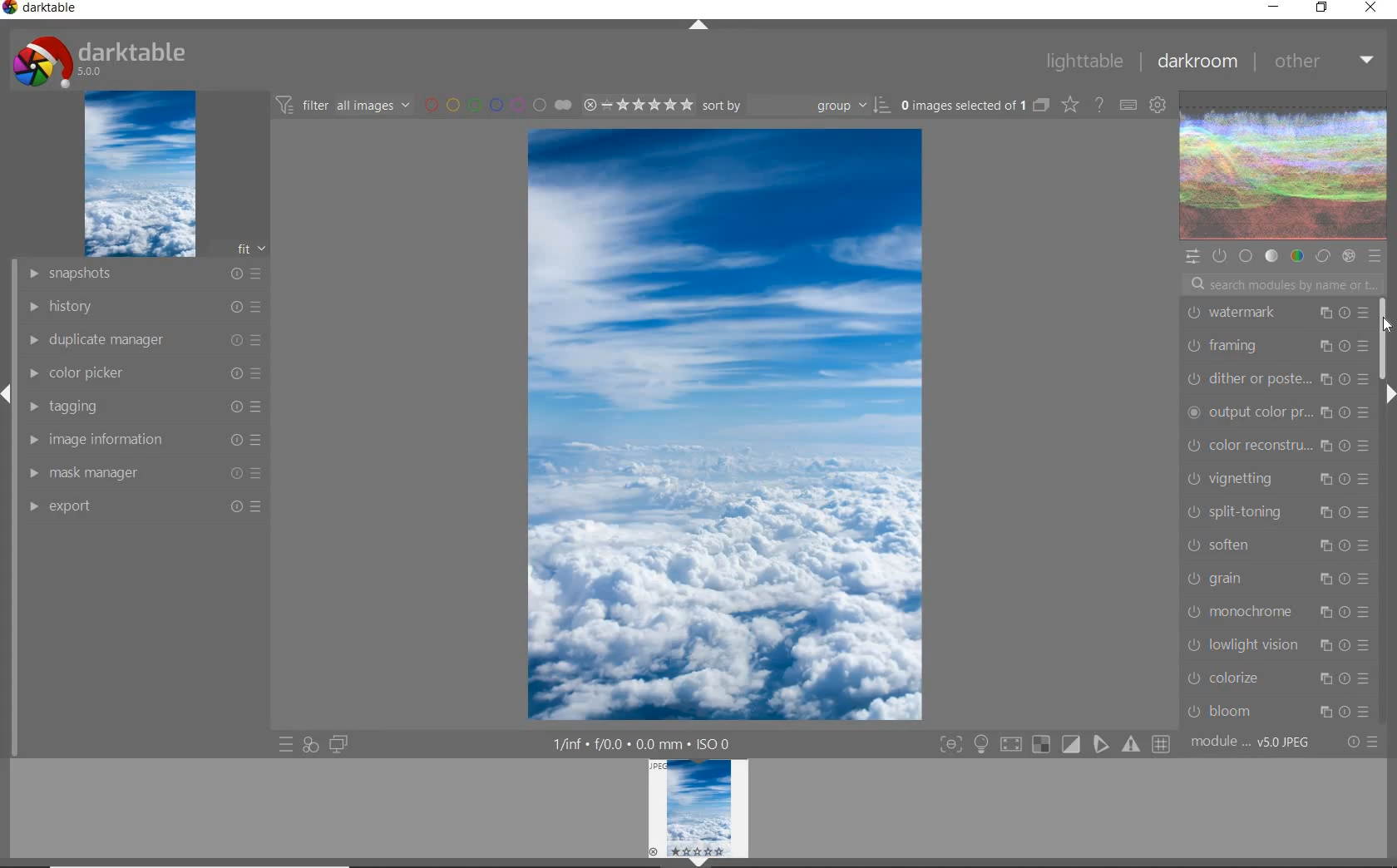 This screenshot has width=1397, height=868. Describe the element at coordinates (1349, 256) in the screenshot. I see `EFFECT` at that location.